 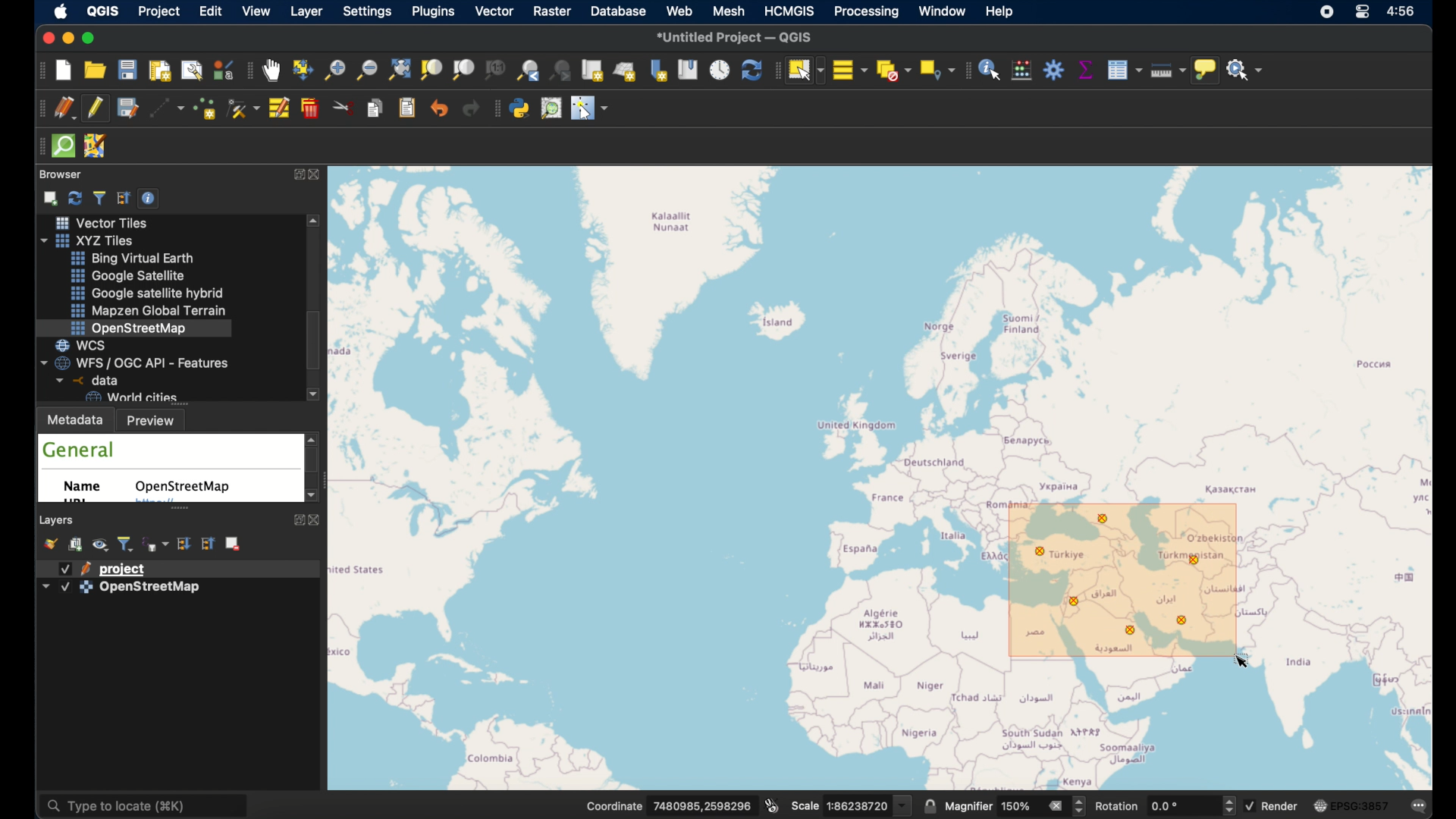 I want to click on data, so click(x=84, y=380).